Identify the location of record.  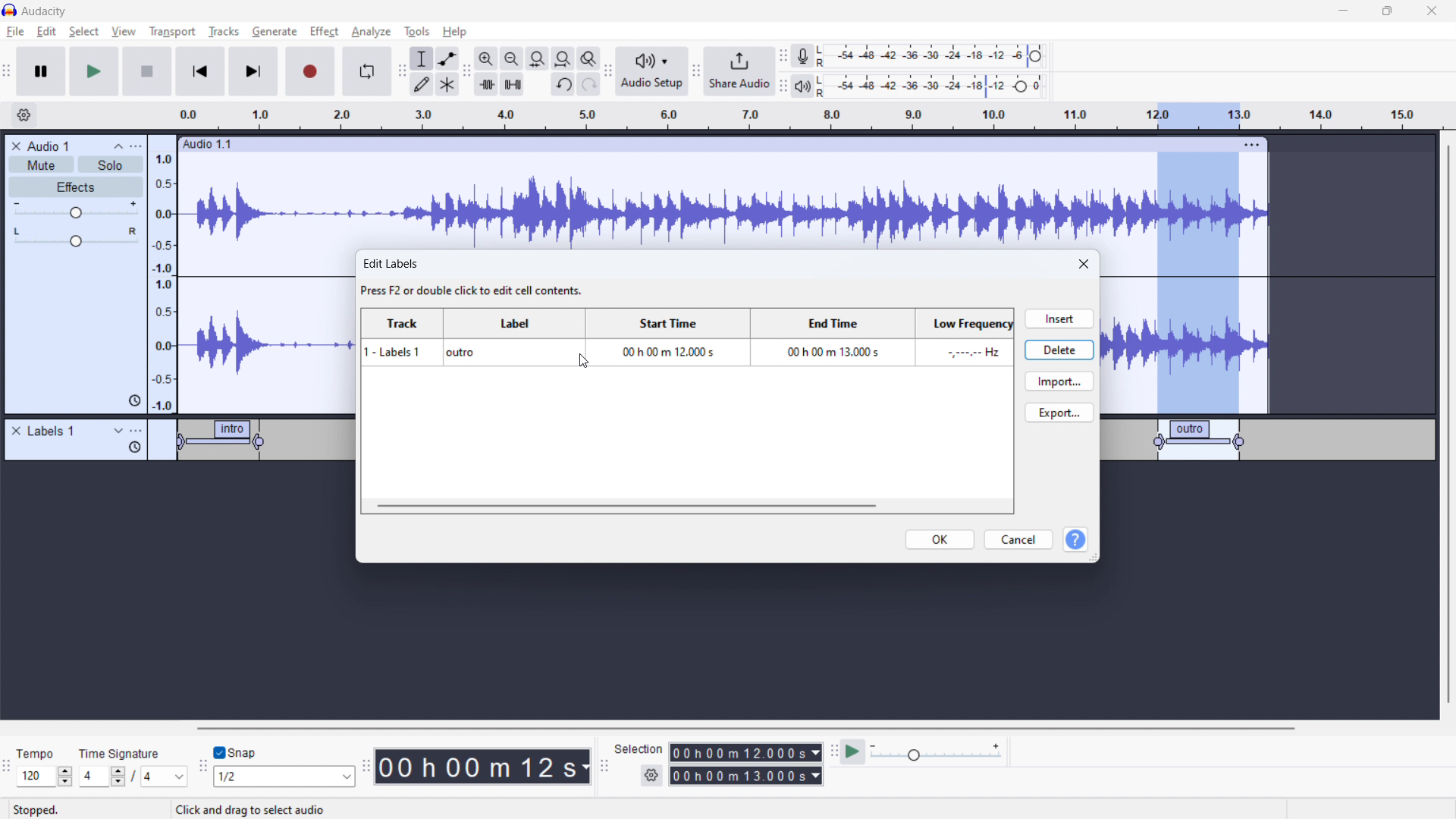
(311, 71).